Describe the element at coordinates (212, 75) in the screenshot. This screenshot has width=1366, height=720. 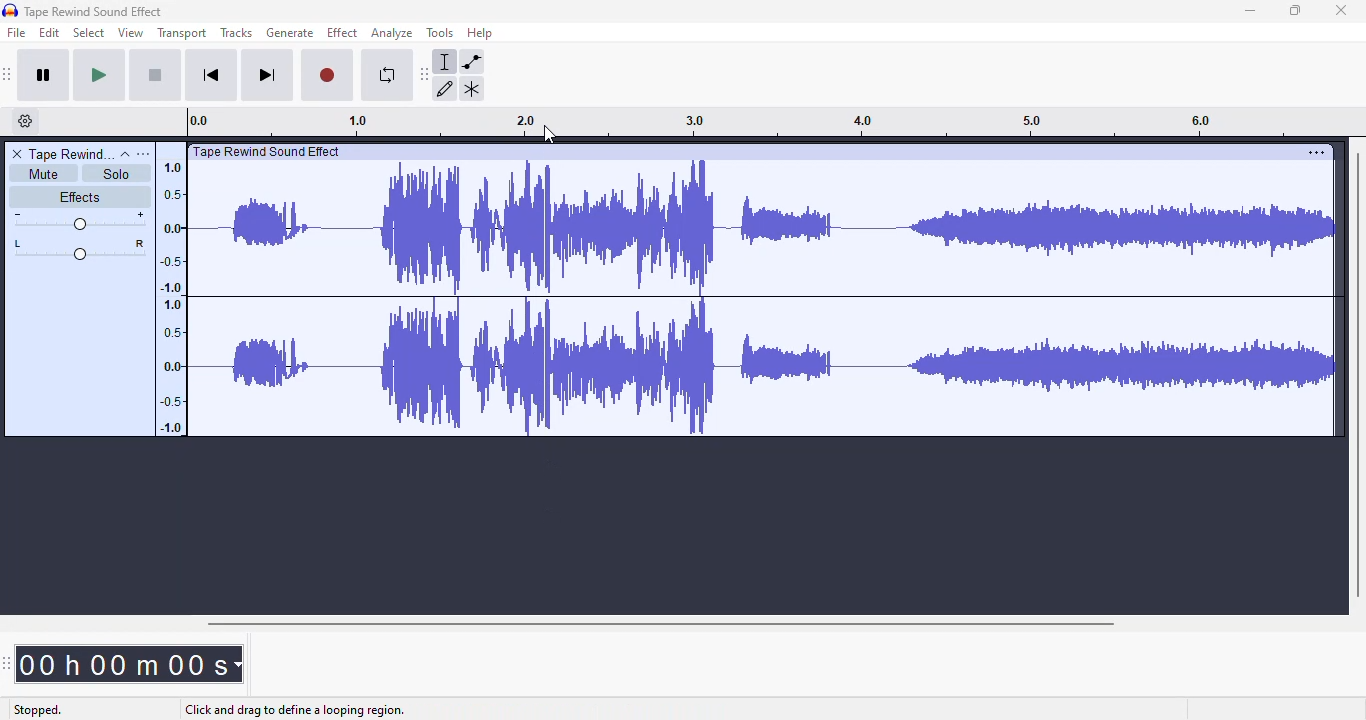
I see `skip to start` at that location.